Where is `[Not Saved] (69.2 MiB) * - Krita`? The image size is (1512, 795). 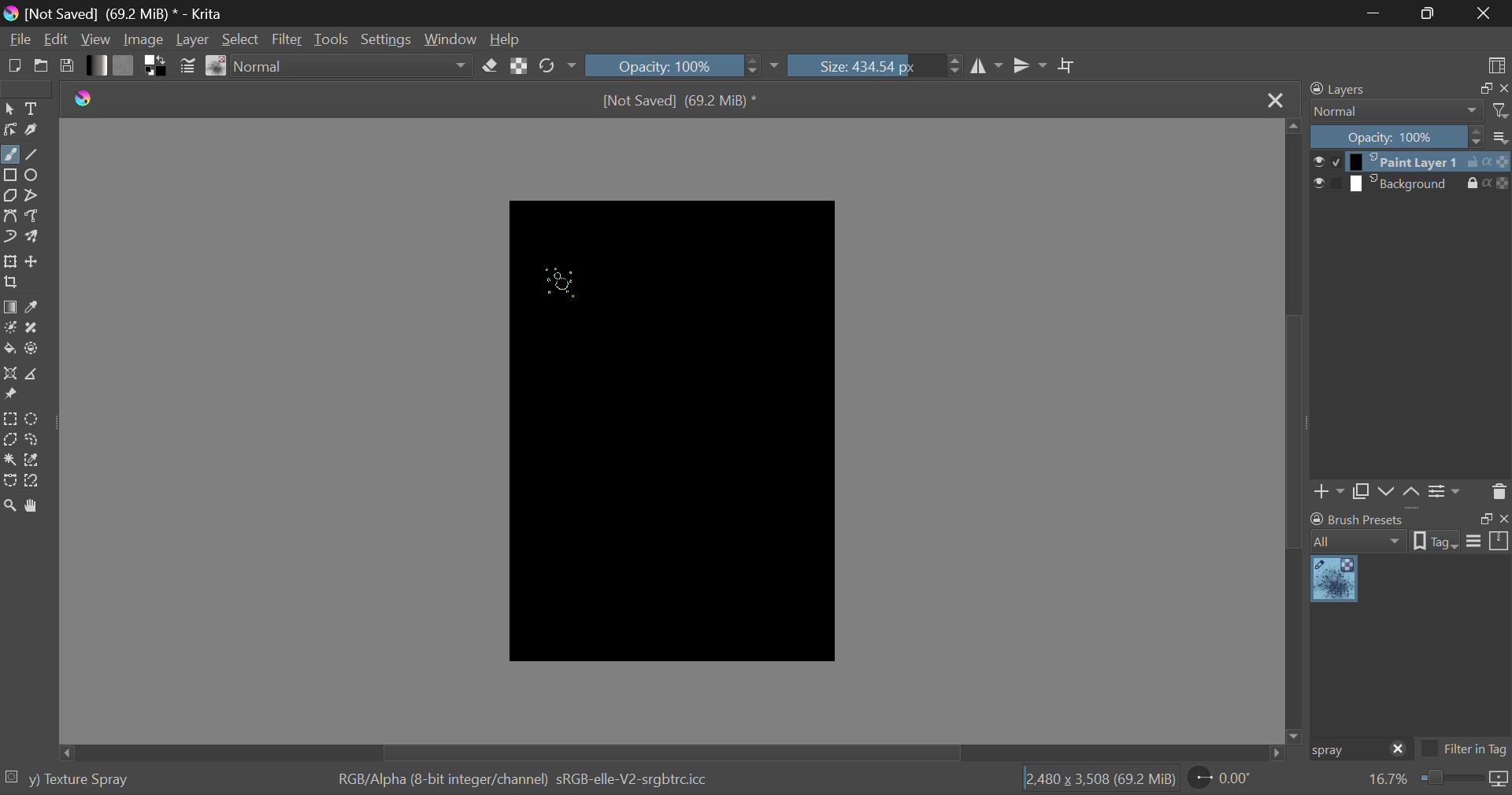
[Not Saved] (69.2 MiB) * - Krita is located at coordinates (131, 13).